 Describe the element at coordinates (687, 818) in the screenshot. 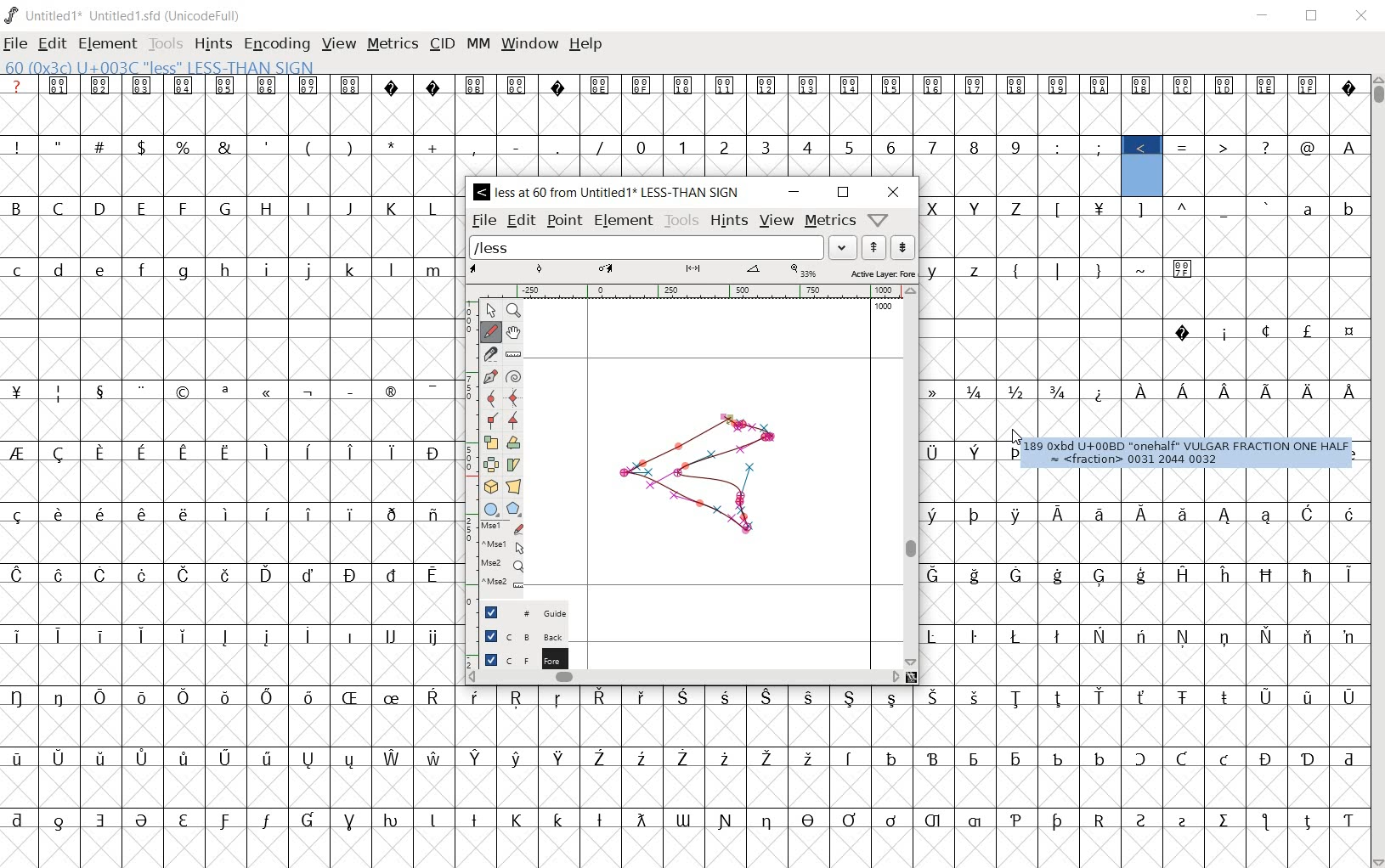

I see `special letters` at that location.